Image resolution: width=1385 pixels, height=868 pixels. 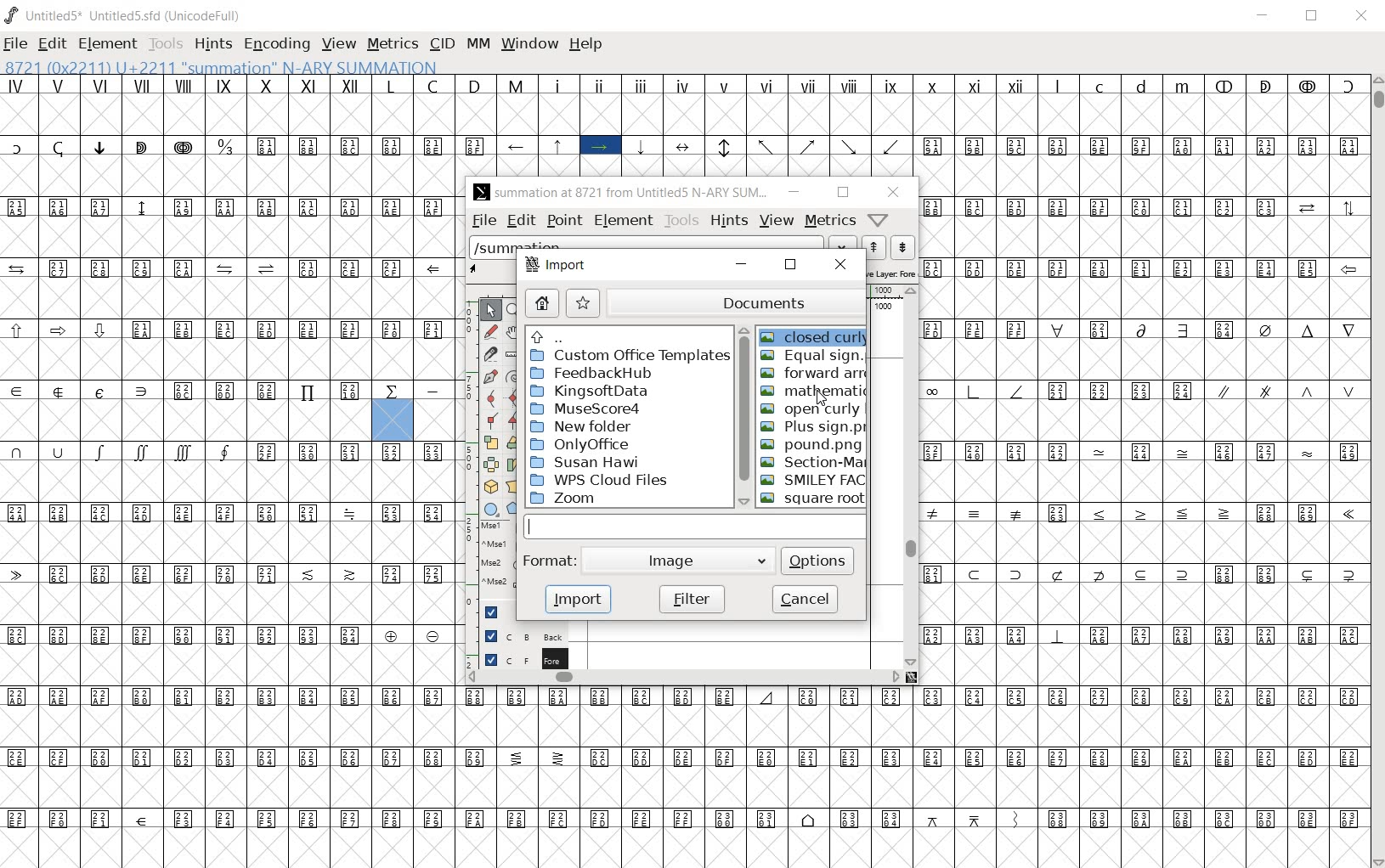 What do you see at coordinates (913, 476) in the screenshot?
I see `scrollbar` at bounding box center [913, 476].